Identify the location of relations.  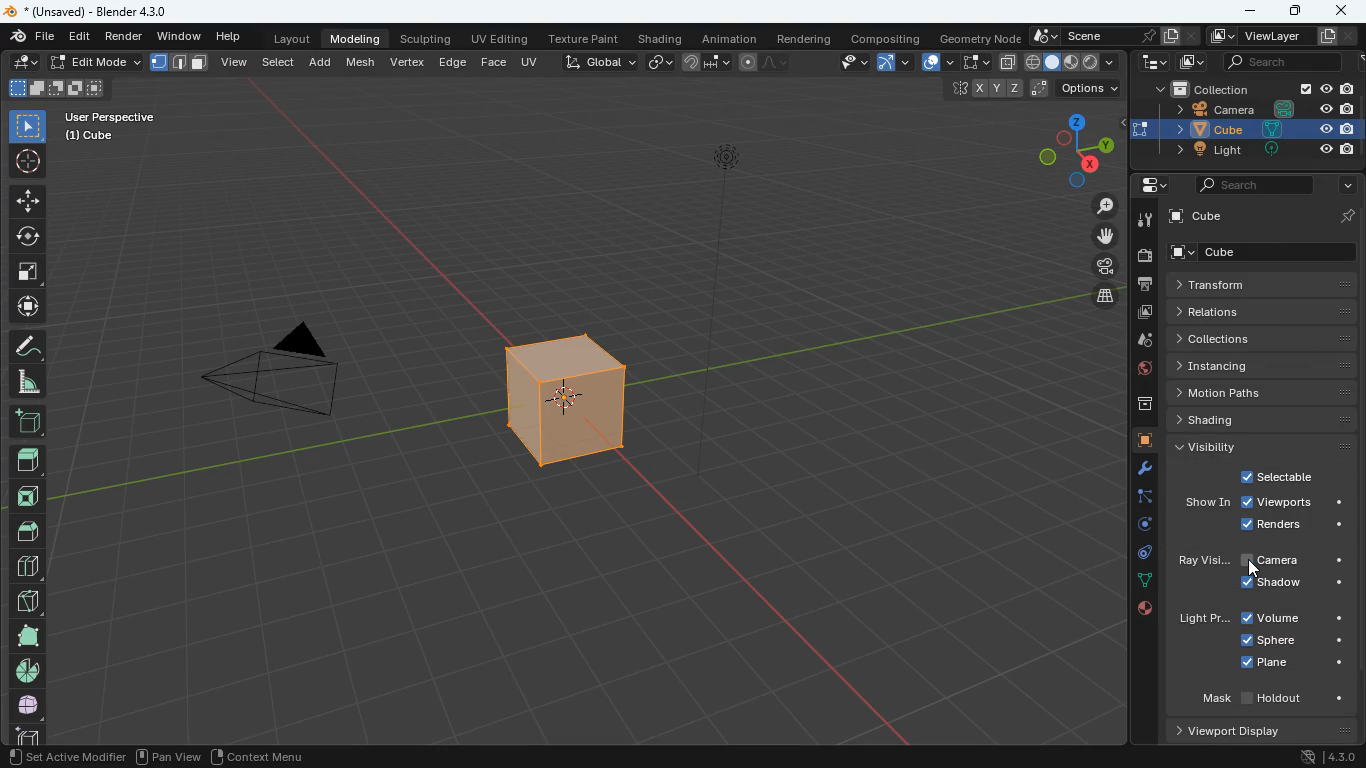
(1262, 313).